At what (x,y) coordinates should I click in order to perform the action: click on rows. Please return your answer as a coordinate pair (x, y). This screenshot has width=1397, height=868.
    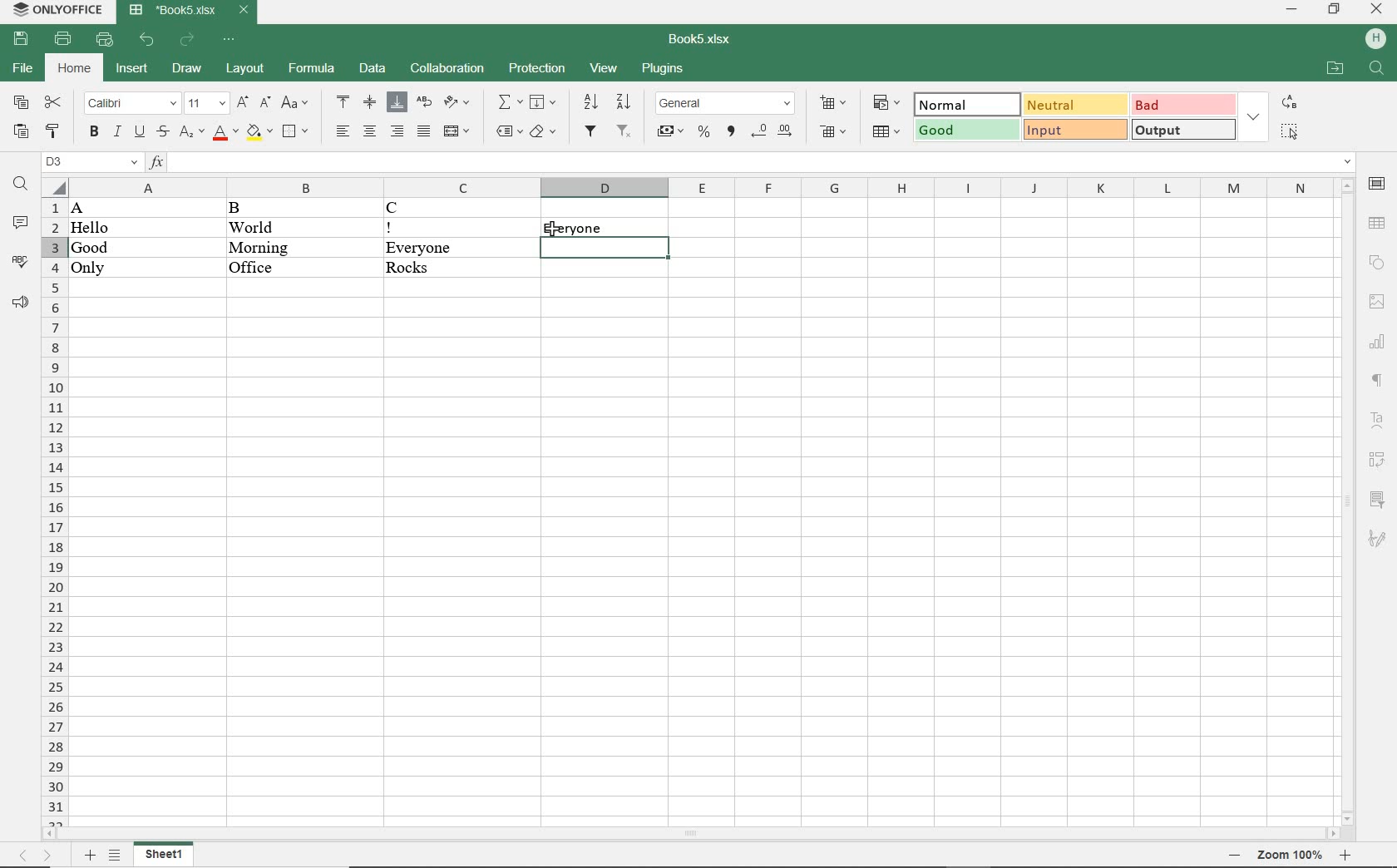
    Looking at the image, I should click on (52, 510).